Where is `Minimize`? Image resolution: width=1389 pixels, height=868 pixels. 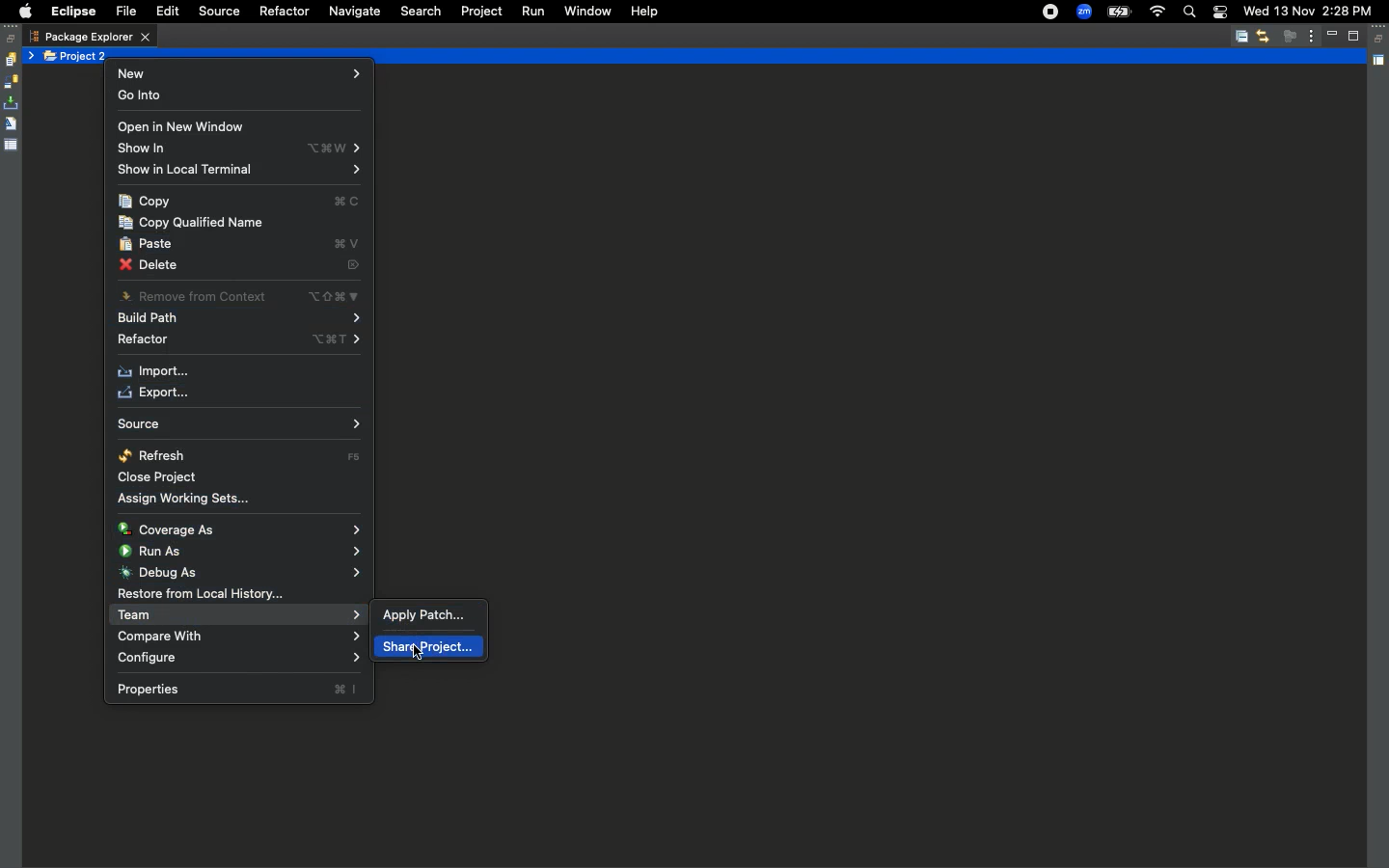
Minimize is located at coordinates (1335, 36).